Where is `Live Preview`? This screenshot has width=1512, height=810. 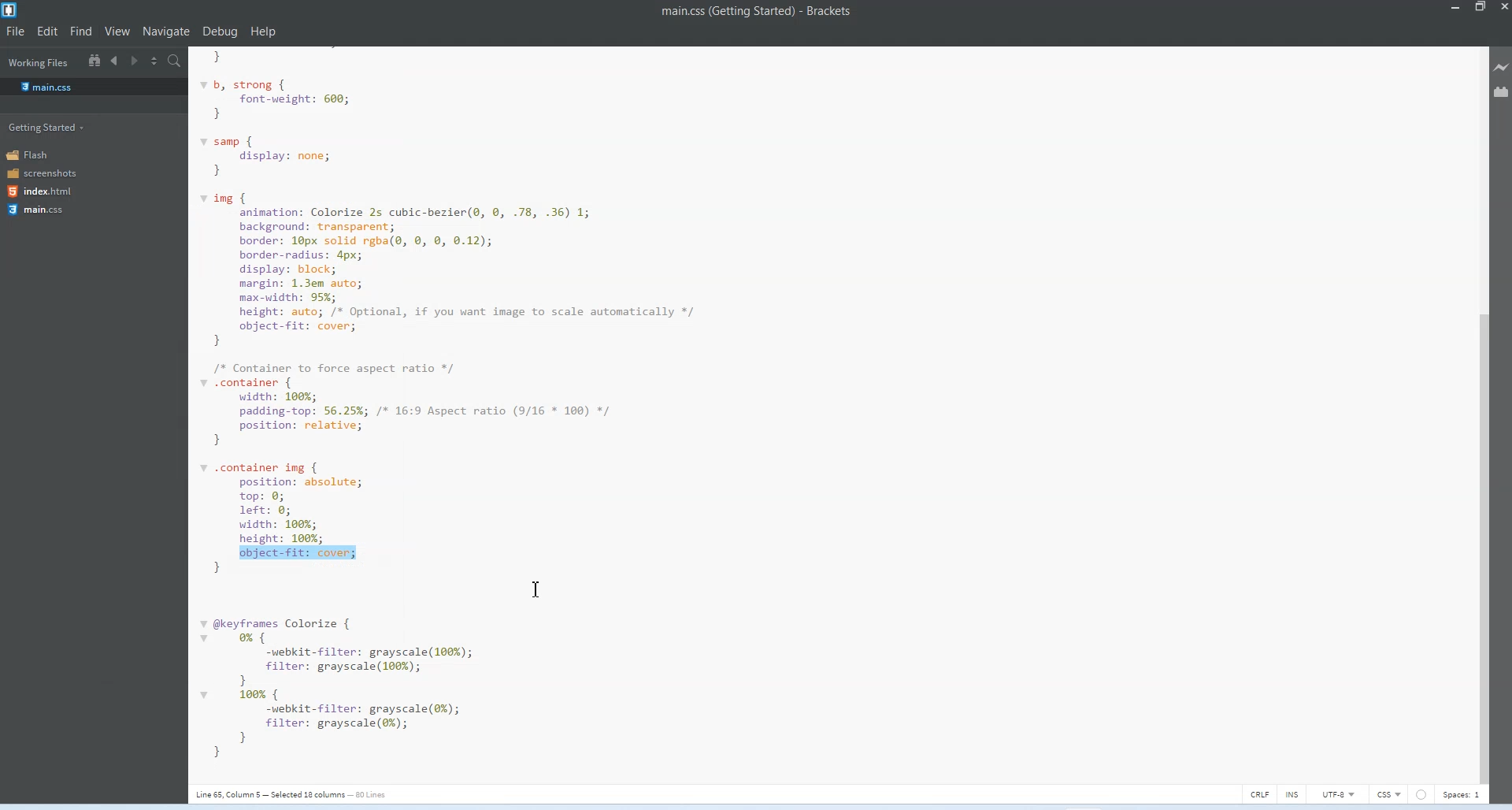
Live Preview is located at coordinates (1503, 65).